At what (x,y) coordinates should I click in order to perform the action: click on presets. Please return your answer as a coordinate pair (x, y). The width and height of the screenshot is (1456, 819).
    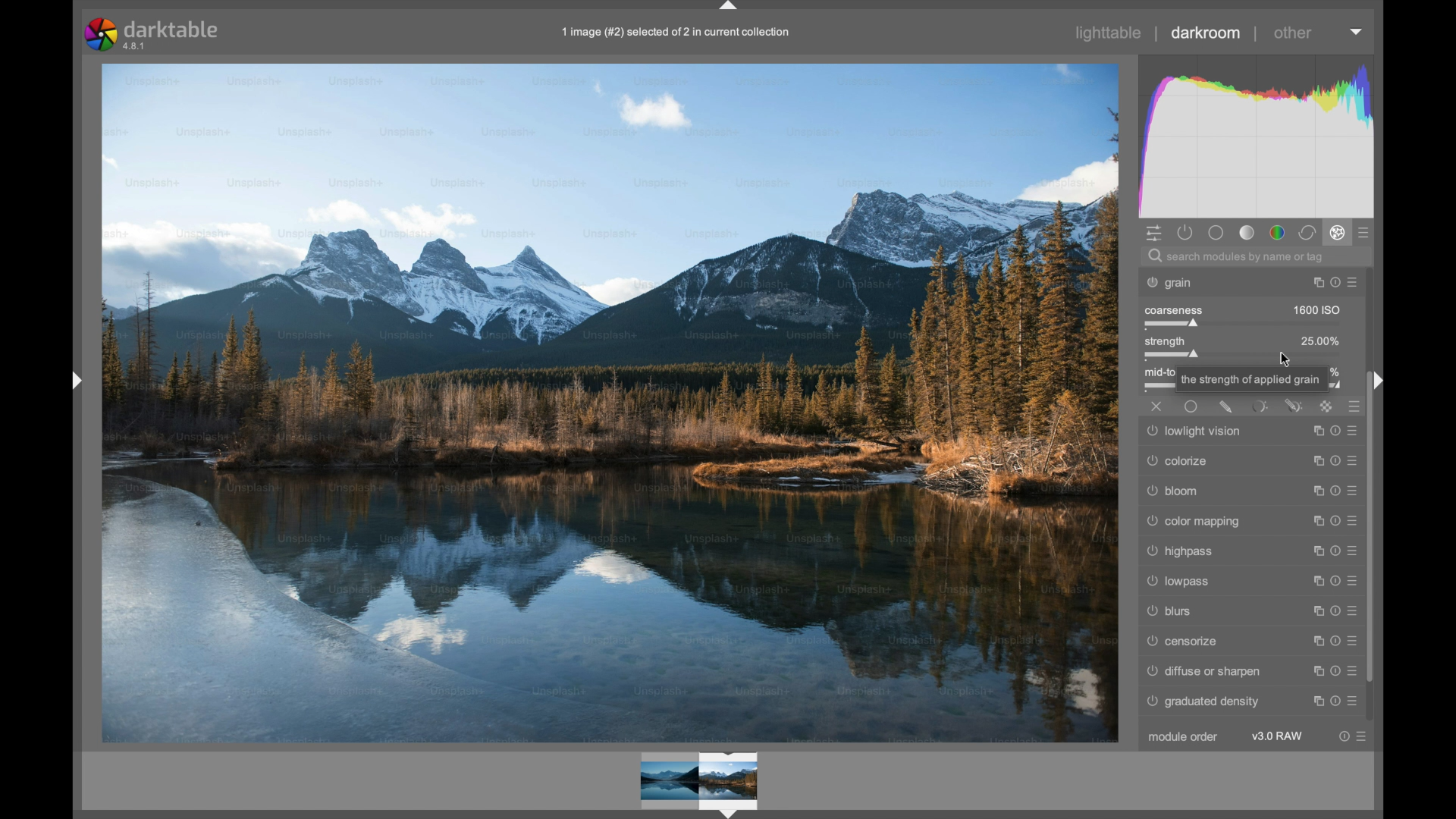
    Looking at the image, I should click on (1358, 641).